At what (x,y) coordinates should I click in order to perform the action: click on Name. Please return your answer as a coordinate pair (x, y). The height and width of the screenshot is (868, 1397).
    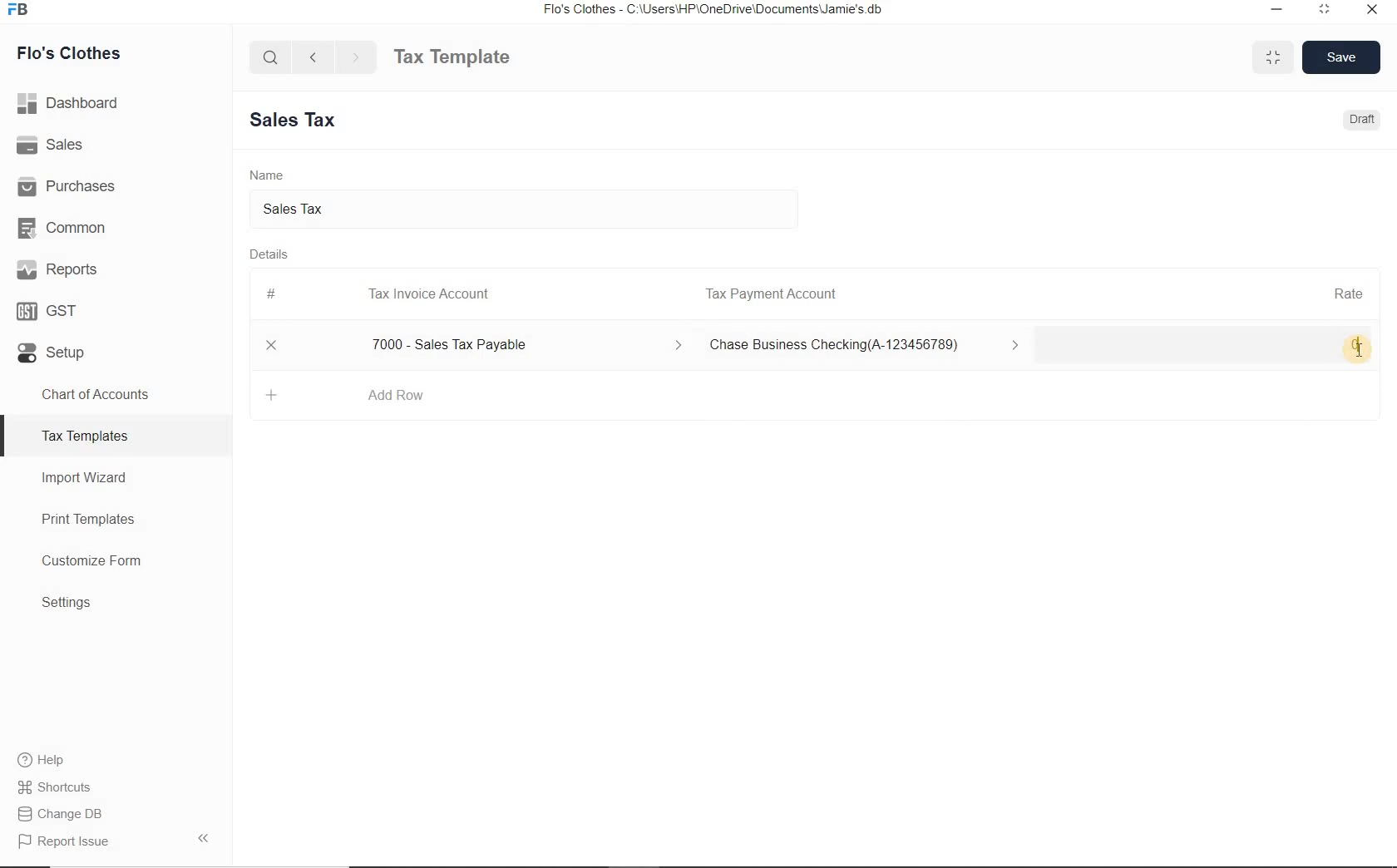
    Looking at the image, I should click on (267, 174).